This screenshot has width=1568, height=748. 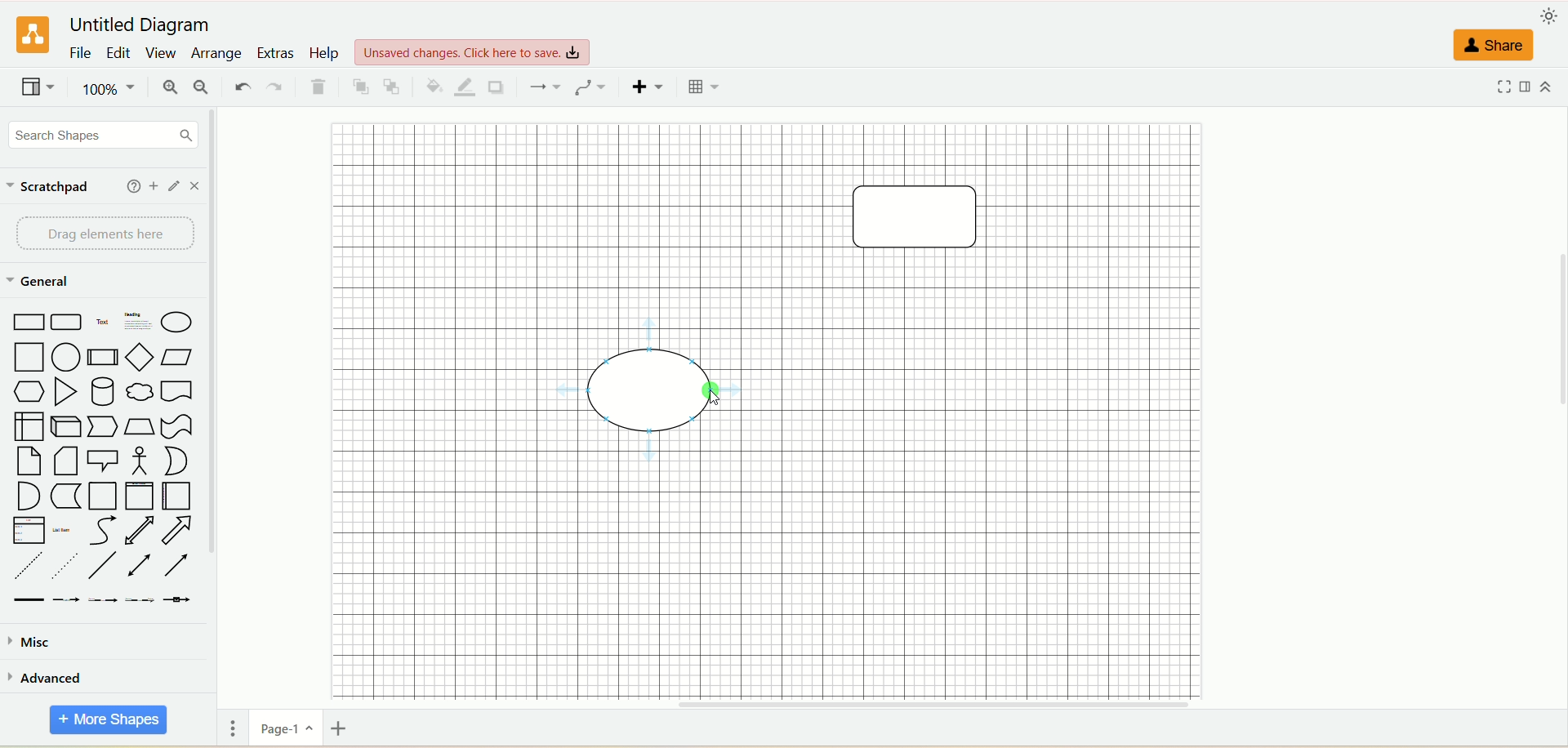 I want to click on scratchpad, so click(x=52, y=188).